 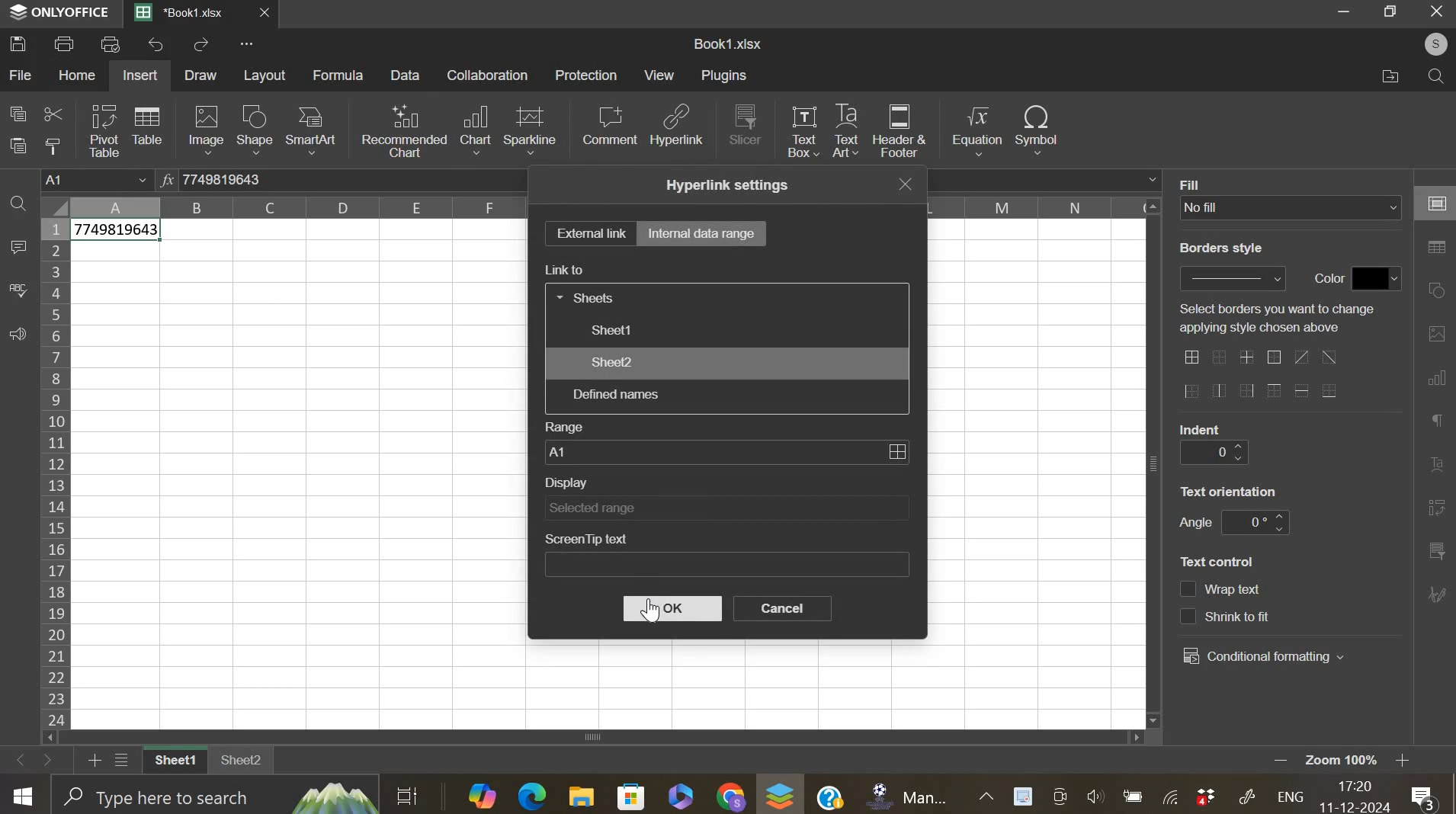 I want to click on column, so click(x=300, y=207).